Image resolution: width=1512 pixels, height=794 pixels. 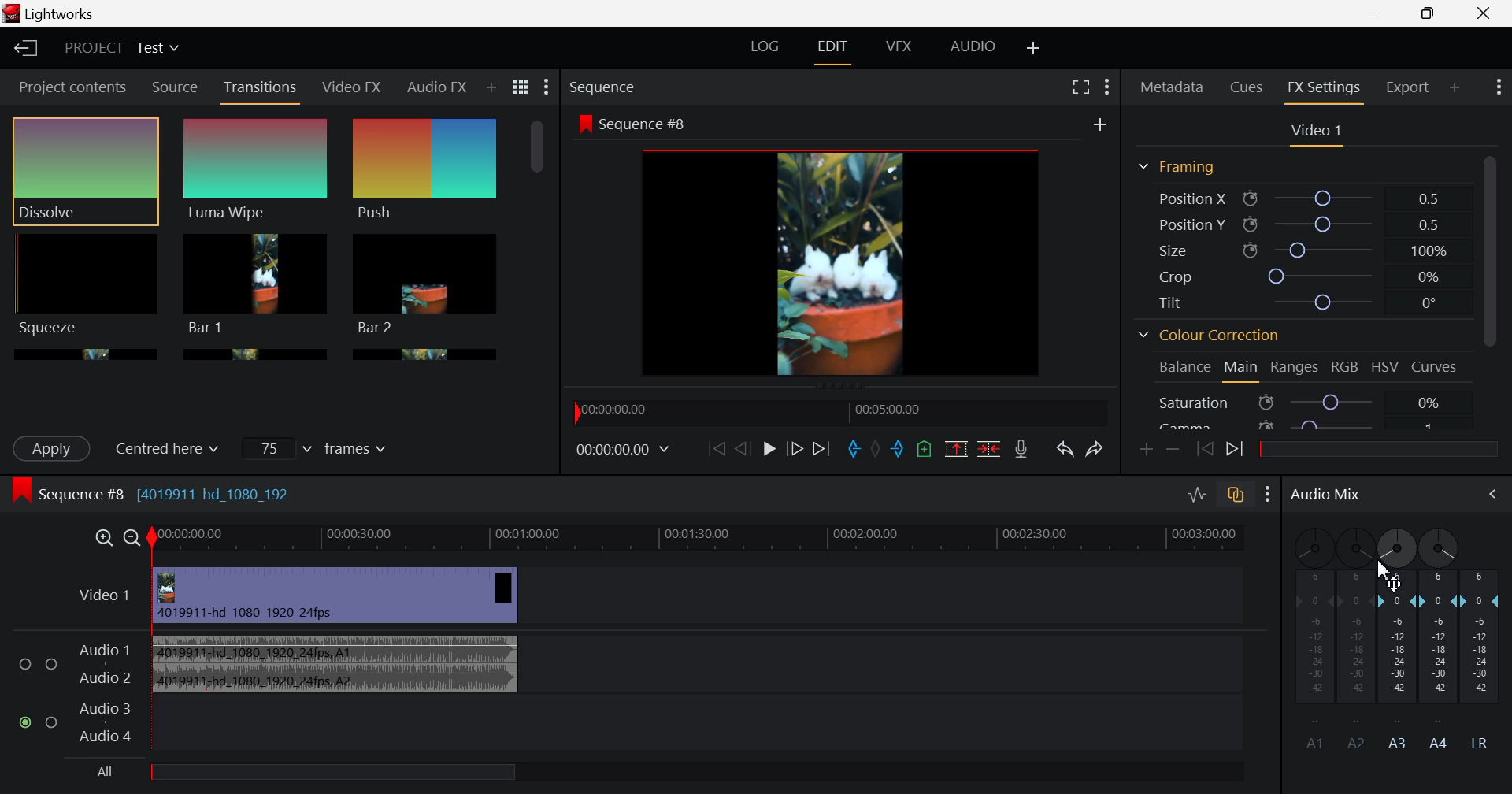 I want to click on Remove keyframe, so click(x=1172, y=449).